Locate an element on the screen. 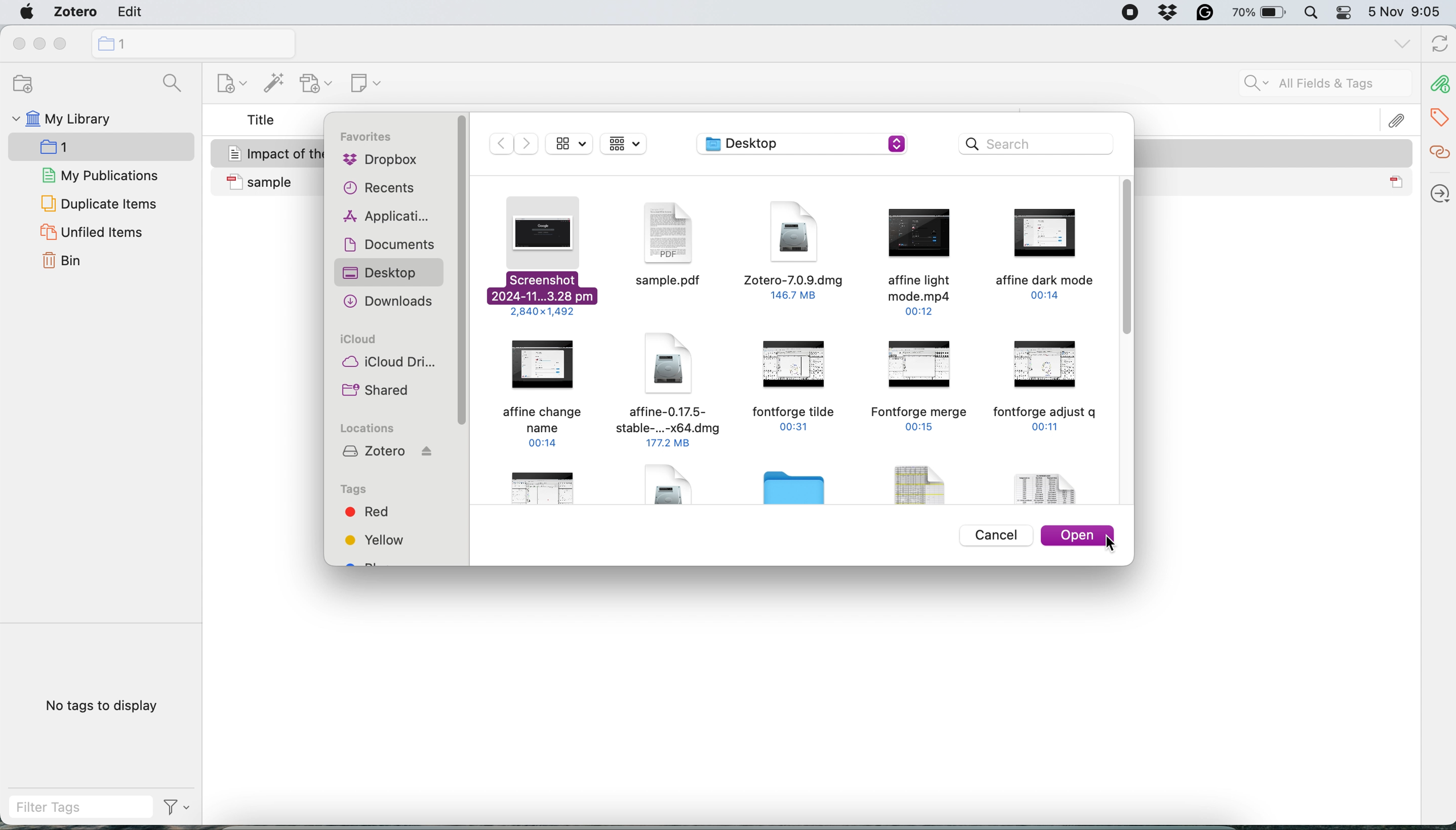  desktop is located at coordinates (804, 144).